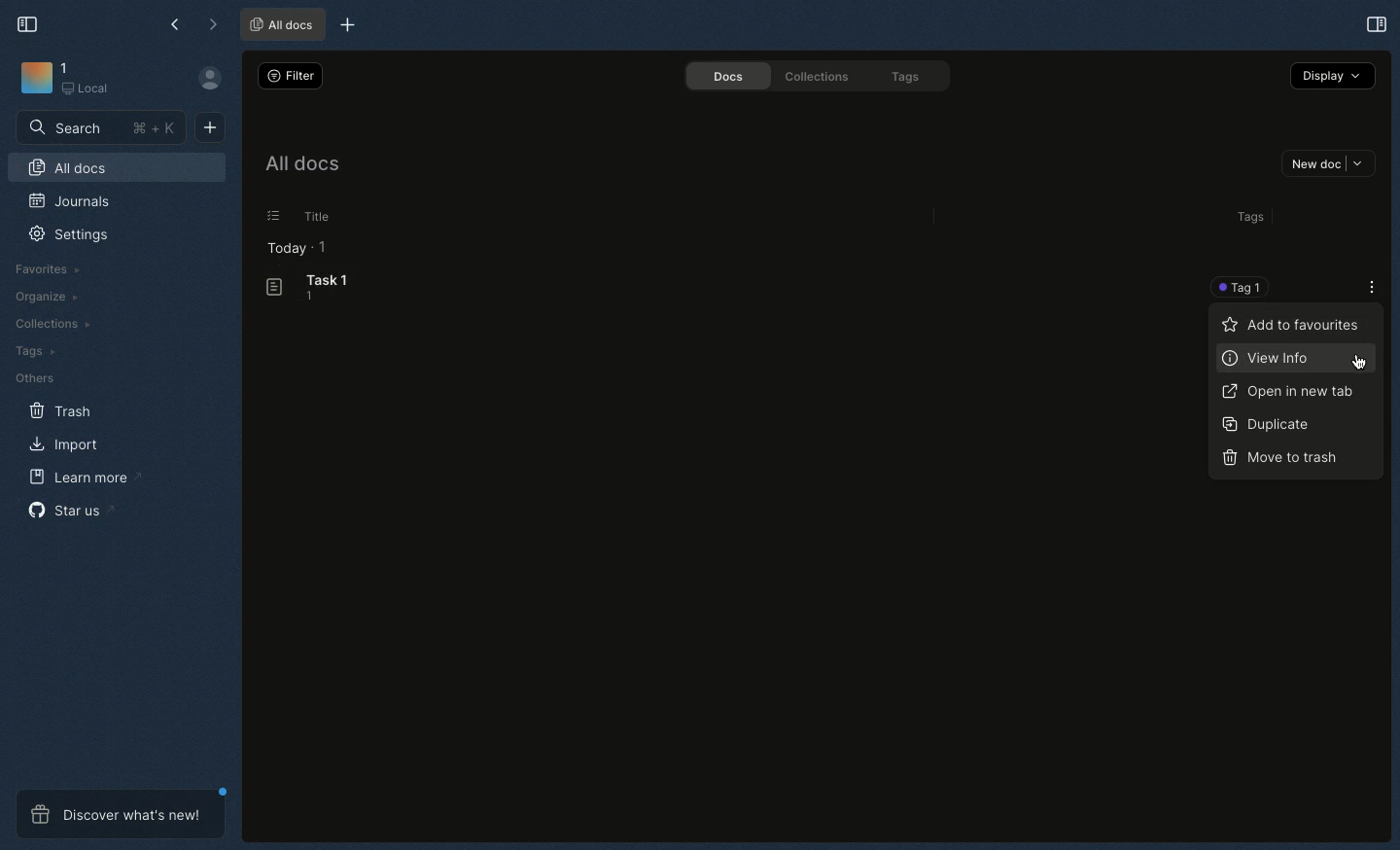 This screenshot has height=850, width=1400. Describe the element at coordinates (67, 168) in the screenshot. I see `All docs` at that location.